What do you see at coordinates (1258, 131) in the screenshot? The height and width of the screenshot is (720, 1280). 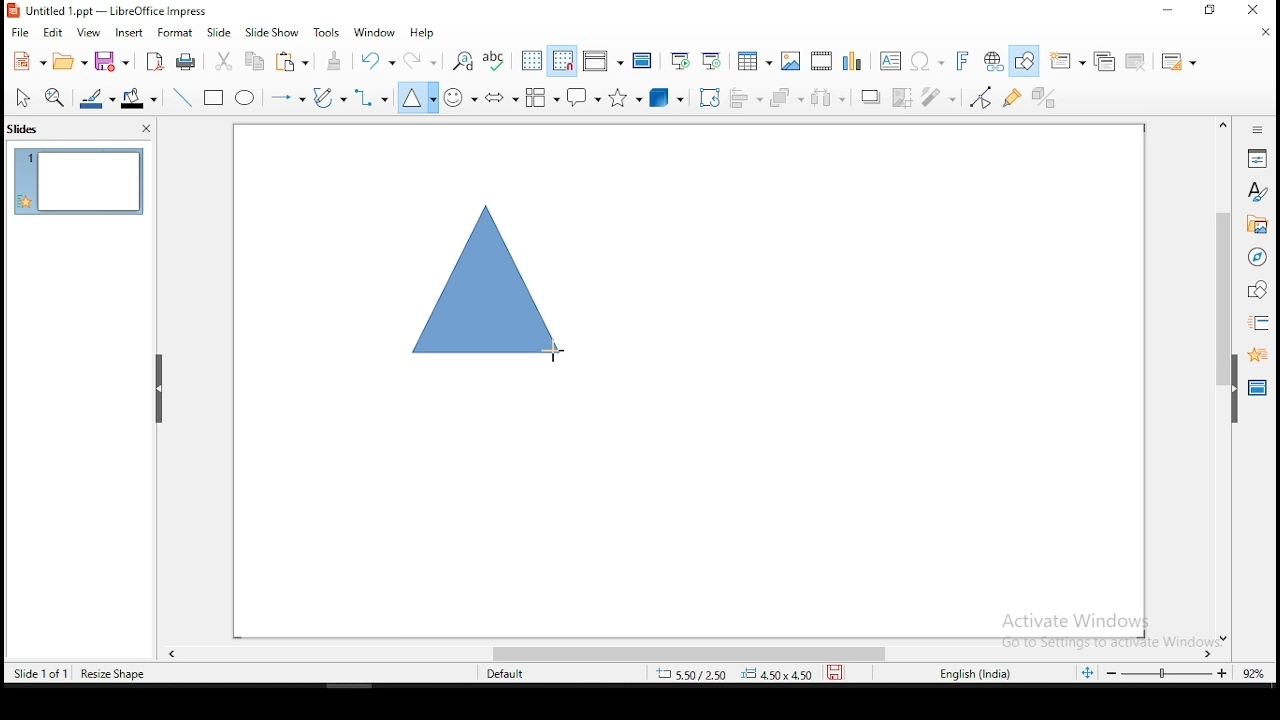 I see `sidebar settings` at bounding box center [1258, 131].